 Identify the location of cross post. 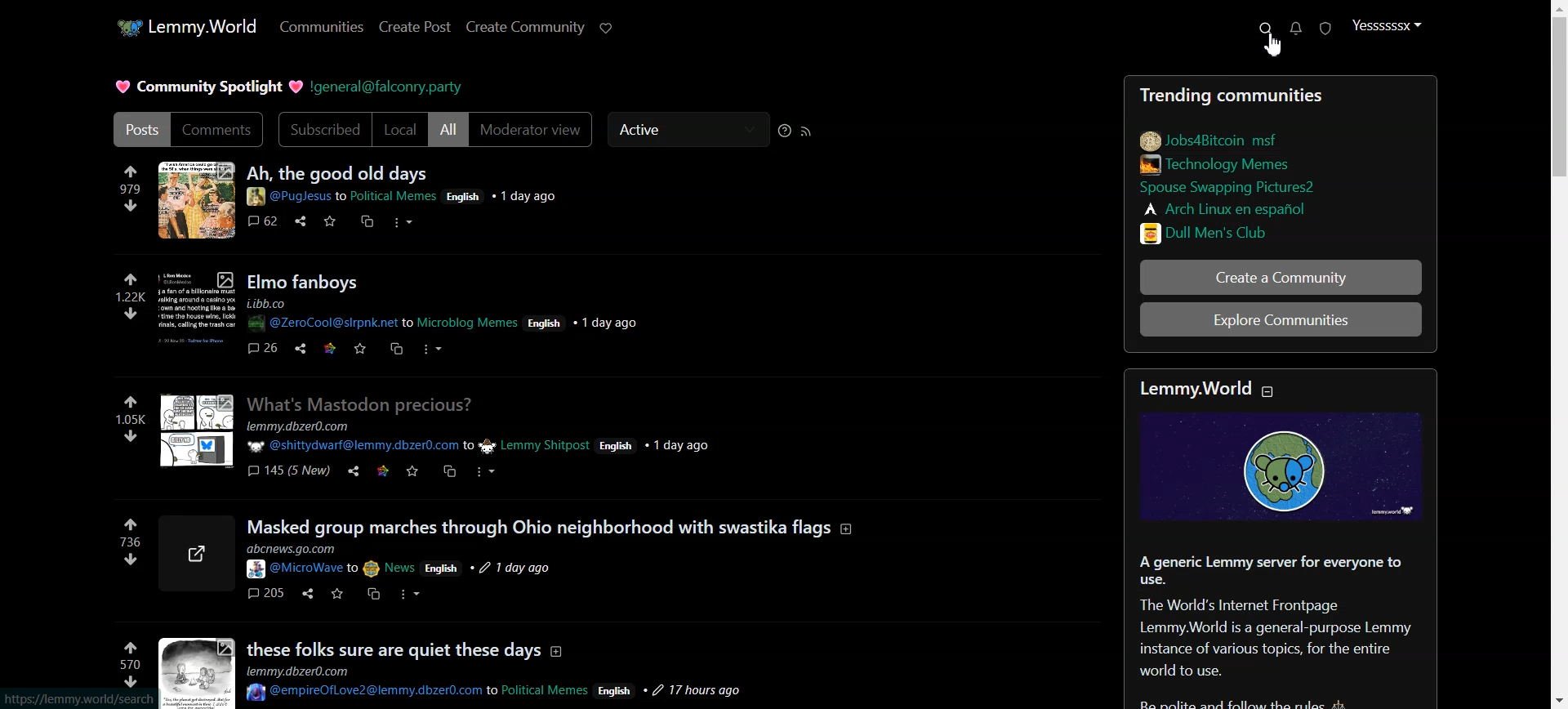
(448, 470).